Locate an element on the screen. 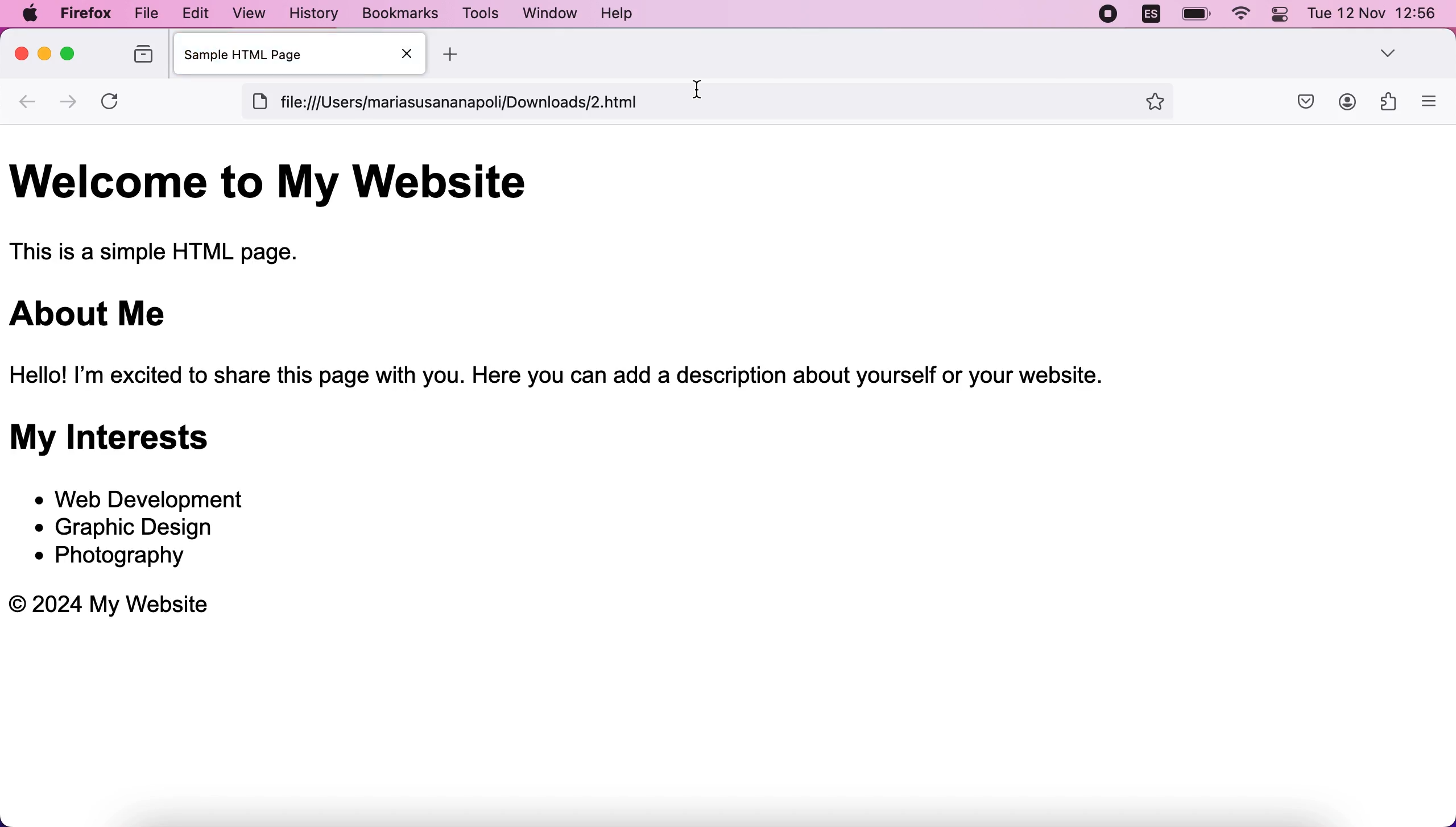 The height and width of the screenshot is (827, 1456). edit is located at coordinates (190, 13).